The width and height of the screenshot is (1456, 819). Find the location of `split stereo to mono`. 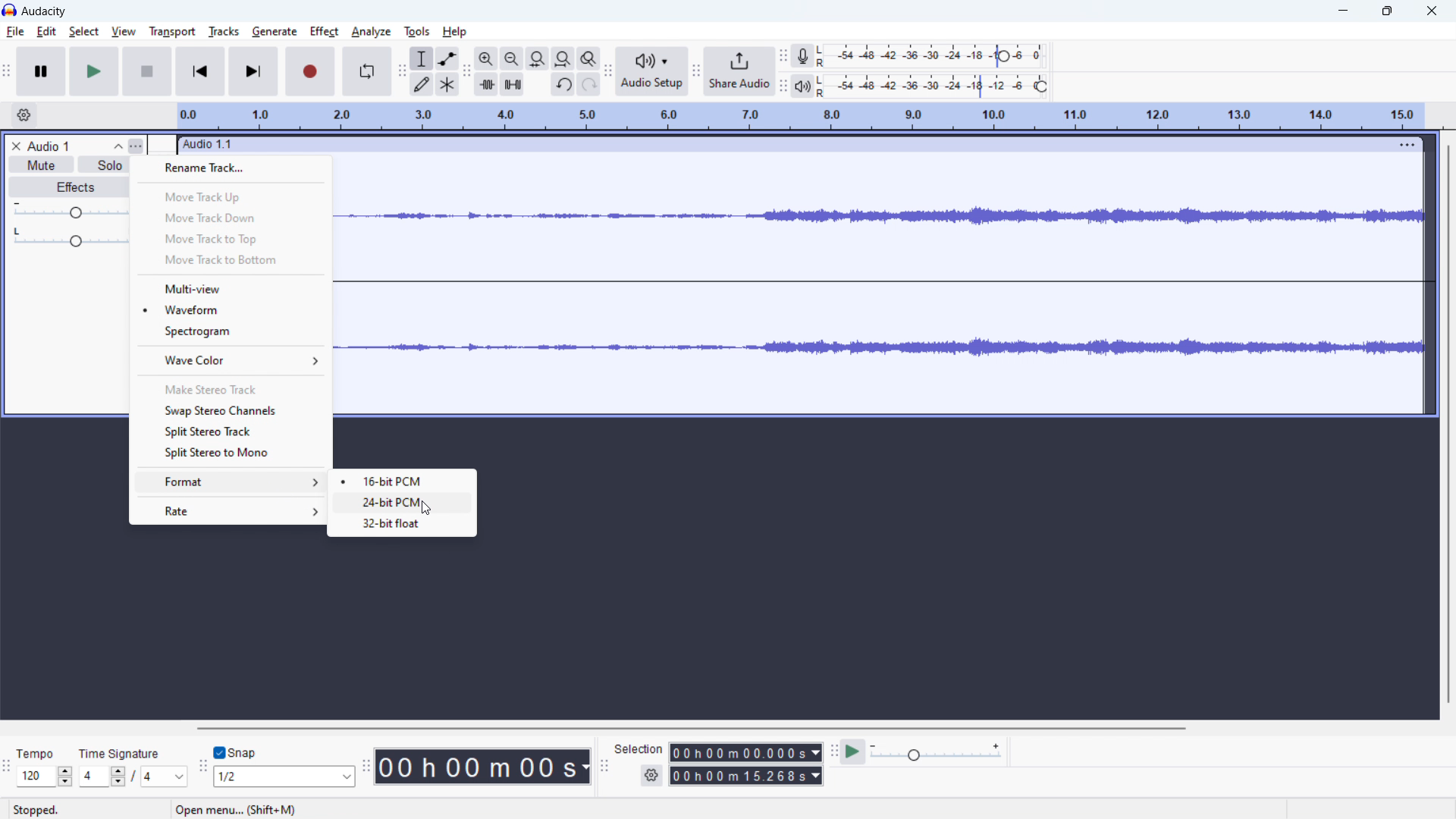

split stereo to mono is located at coordinates (229, 453).